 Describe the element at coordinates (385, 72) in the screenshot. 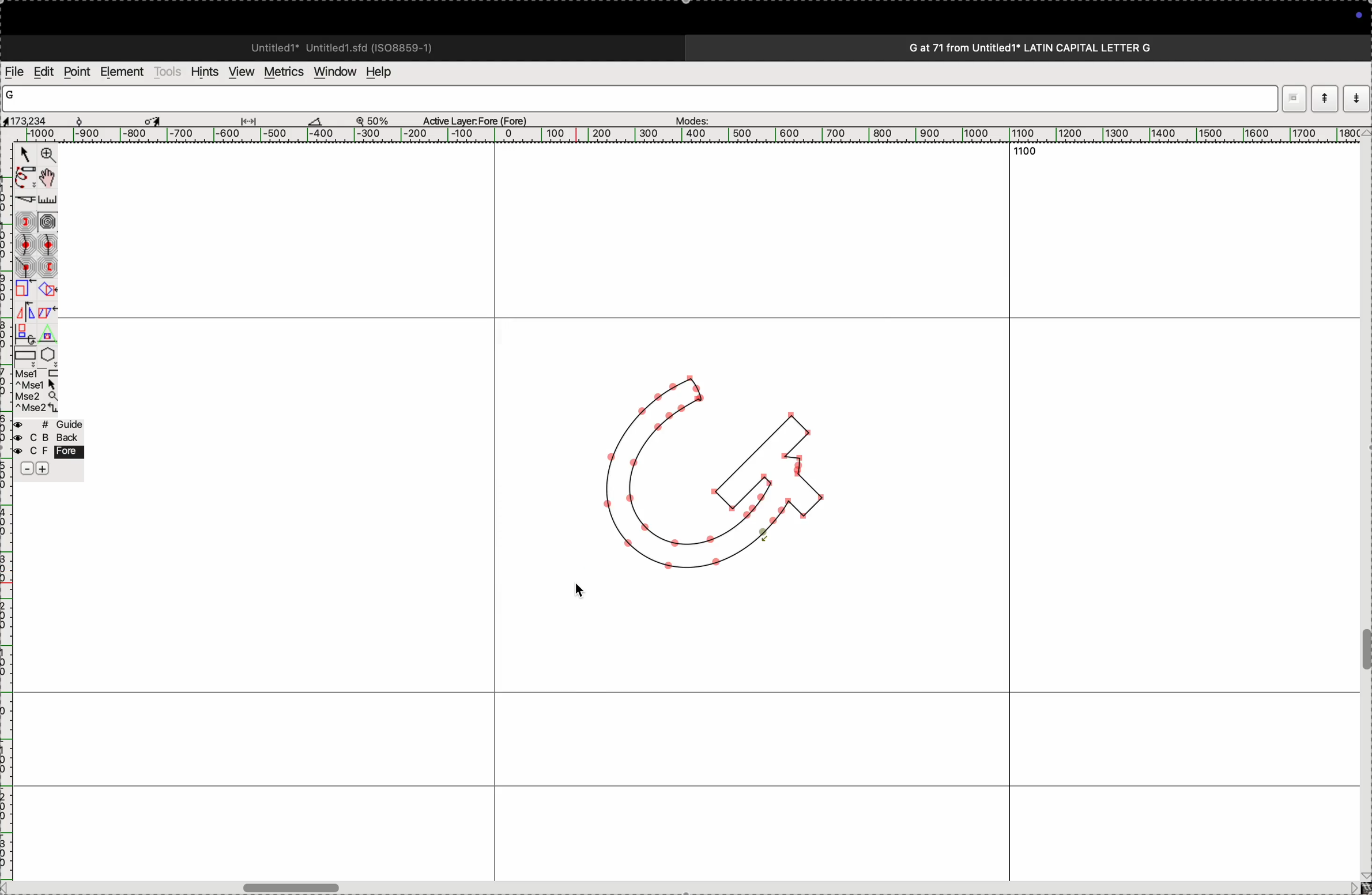

I see `help` at that location.